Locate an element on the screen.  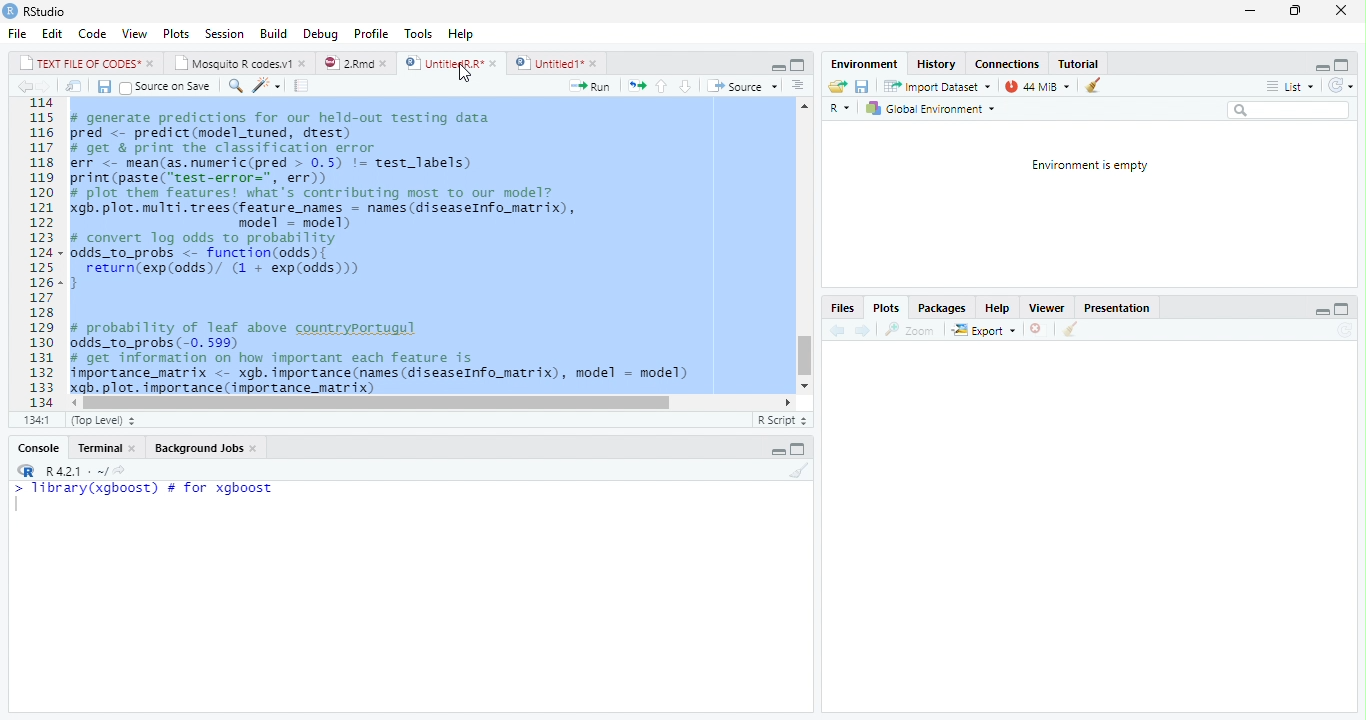
R is located at coordinates (840, 106).